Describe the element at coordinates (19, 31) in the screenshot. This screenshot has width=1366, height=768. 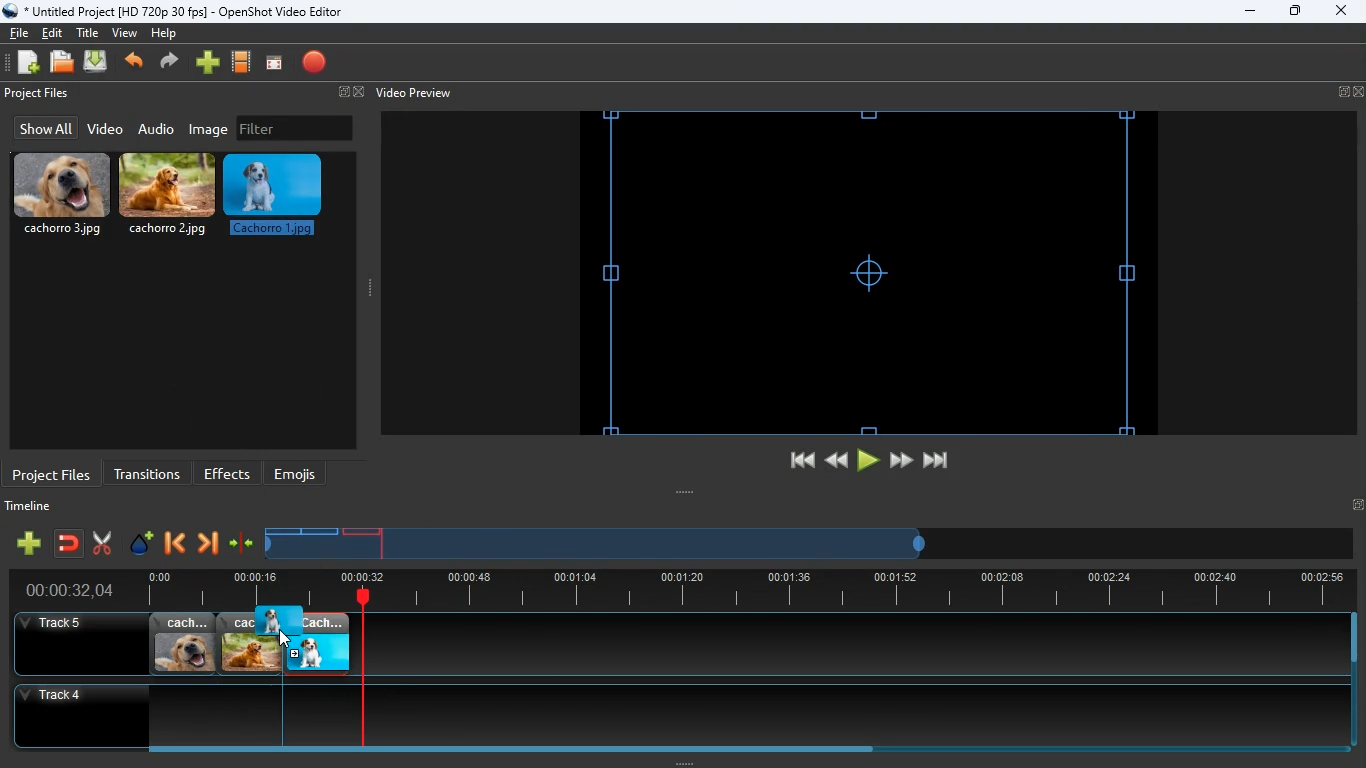
I see `file` at that location.